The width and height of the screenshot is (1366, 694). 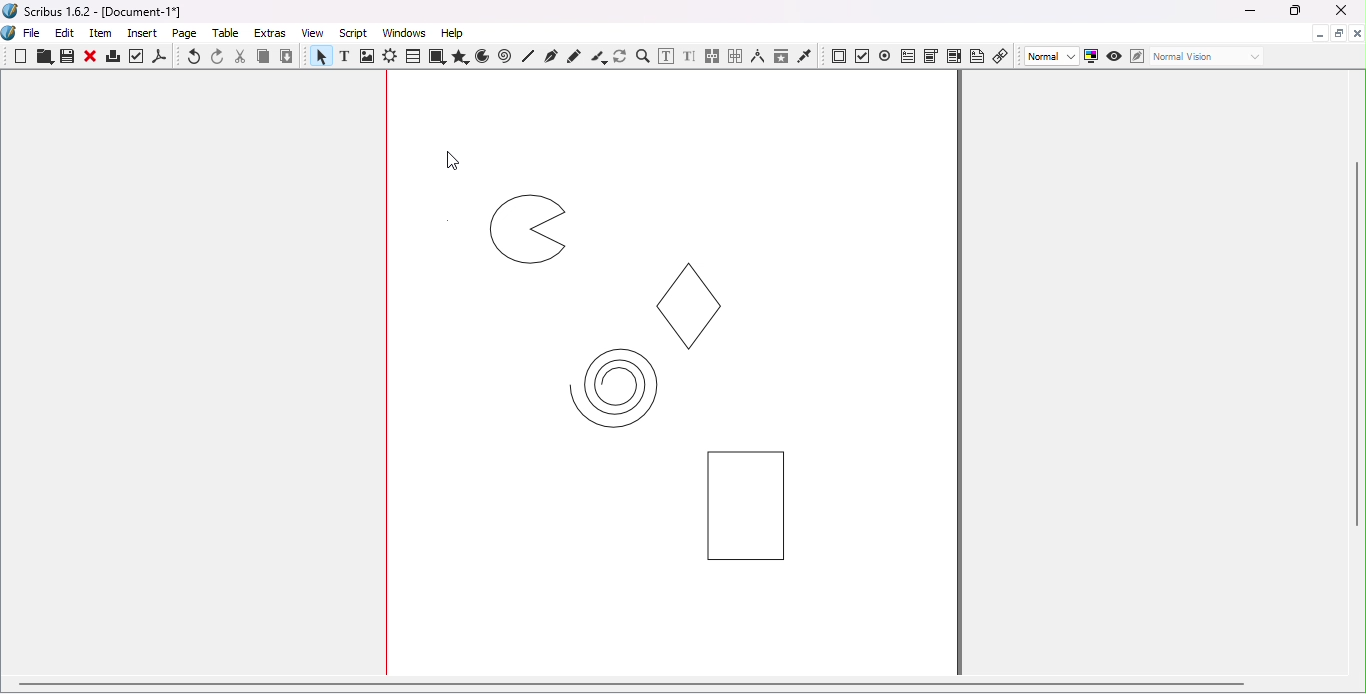 I want to click on Script, so click(x=356, y=32).